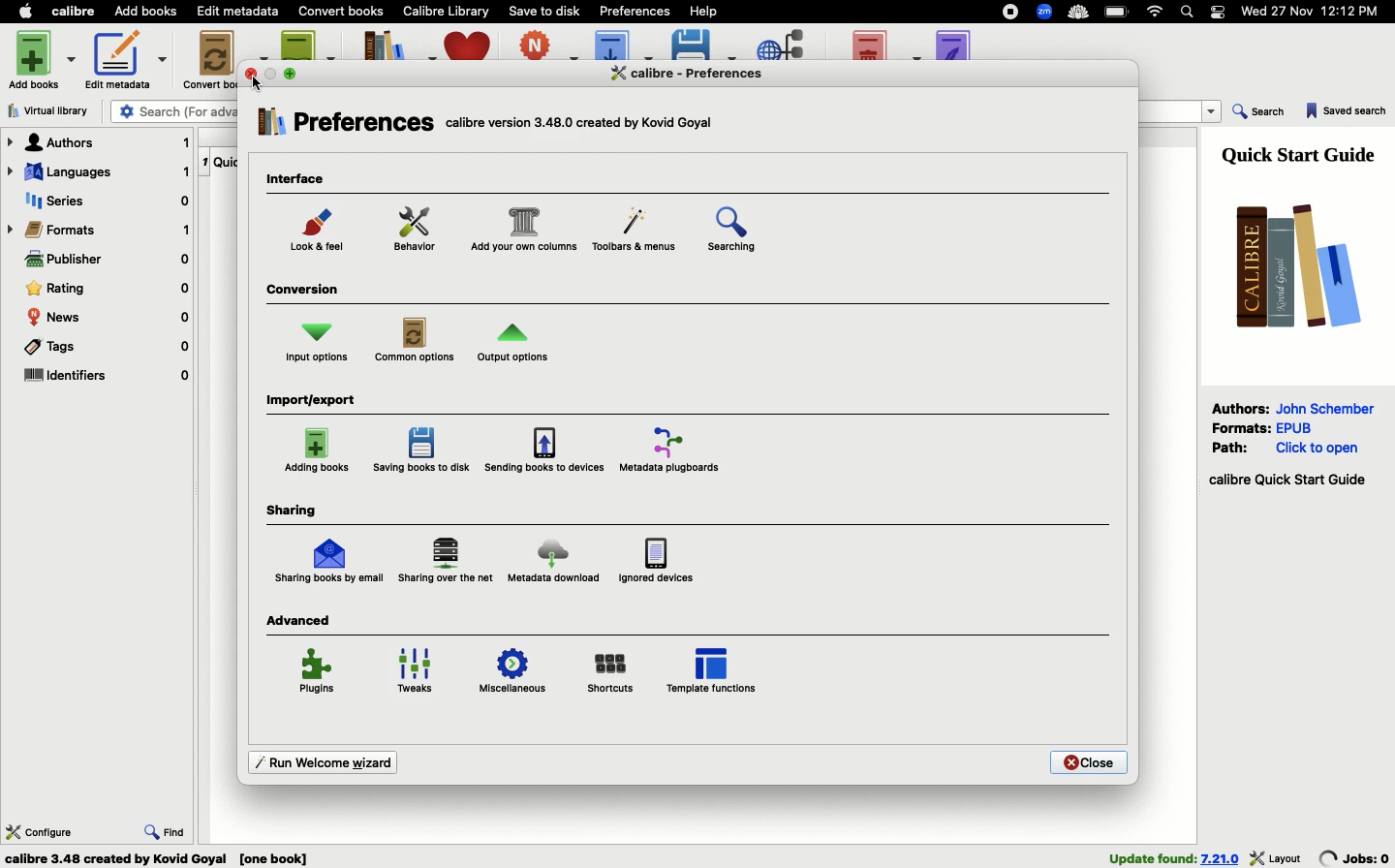 This screenshot has width=1395, height=868. What do you see at coordinates (301, 620) in the screenshot?
I see `Advanced` at bounding box center [301, 620].